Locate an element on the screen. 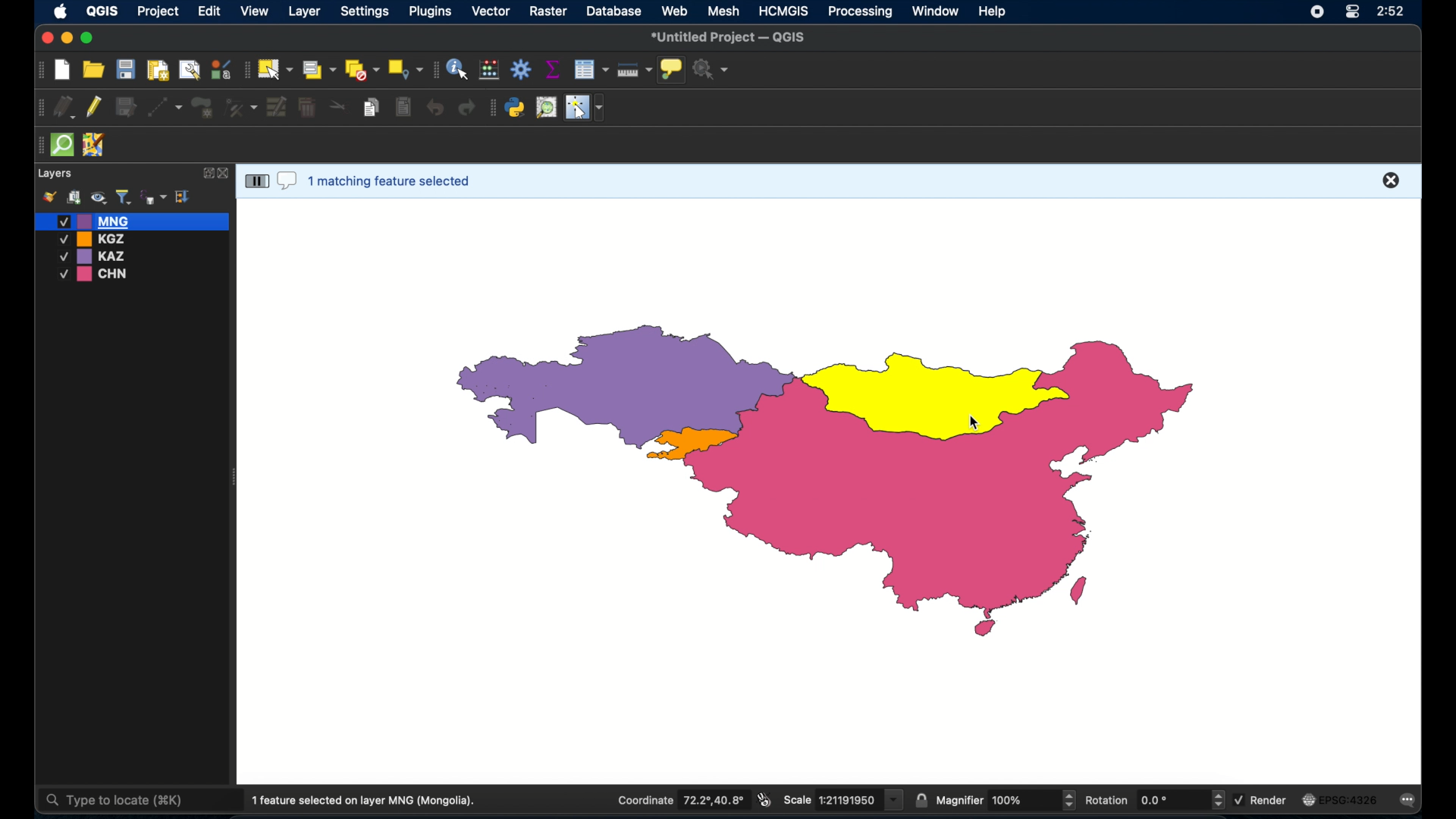 The image size is (1456, 819). add group is located at coordinates (74, 198).